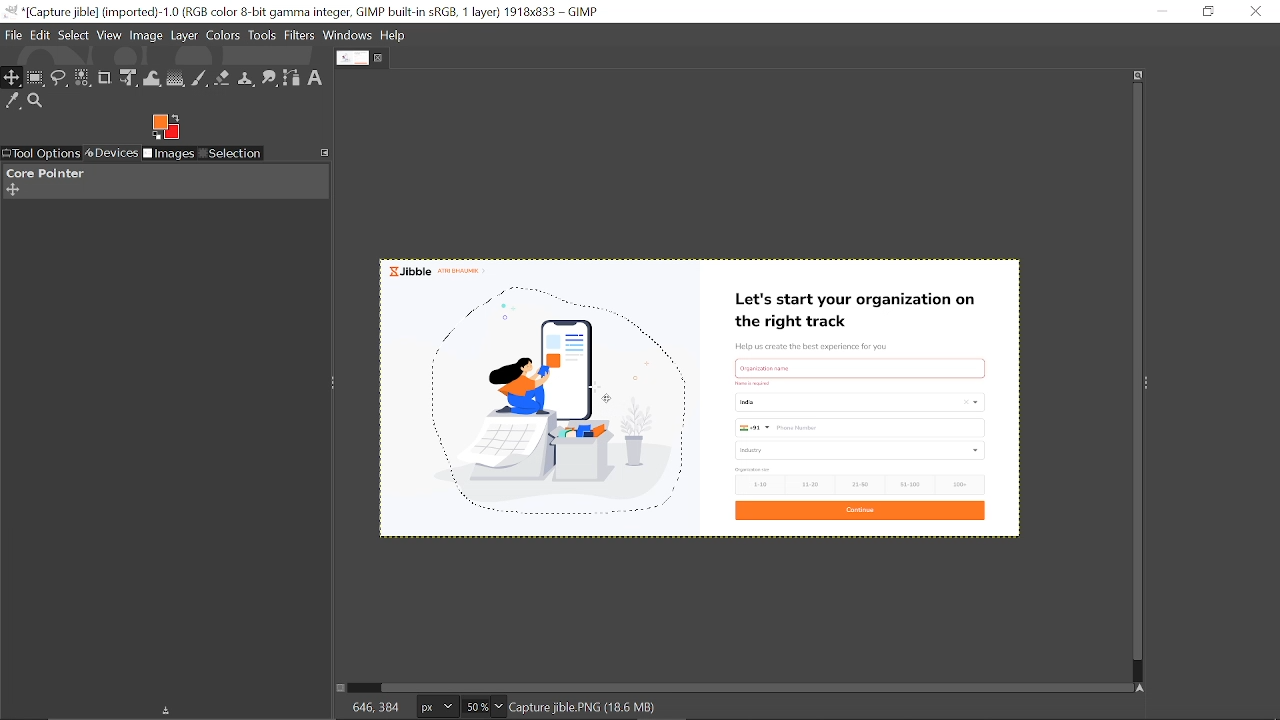  What do you see at coordinates (1134, 77) in the screenshot?
I see `Zoom when window size changes` at bounding box center [1134, 77].